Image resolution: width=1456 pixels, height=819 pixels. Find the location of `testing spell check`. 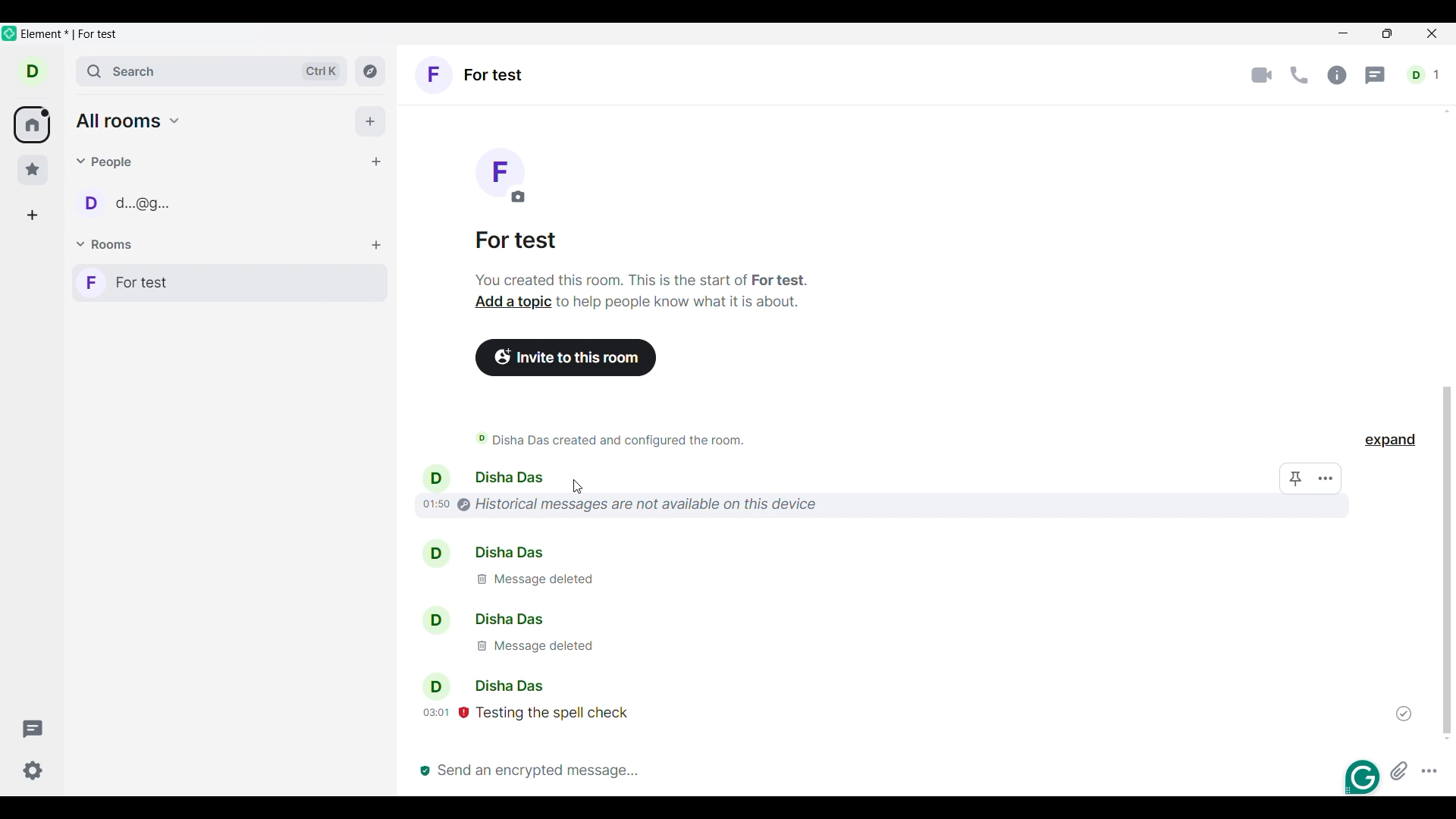

testing spell check is located at coordinates (538, 712).